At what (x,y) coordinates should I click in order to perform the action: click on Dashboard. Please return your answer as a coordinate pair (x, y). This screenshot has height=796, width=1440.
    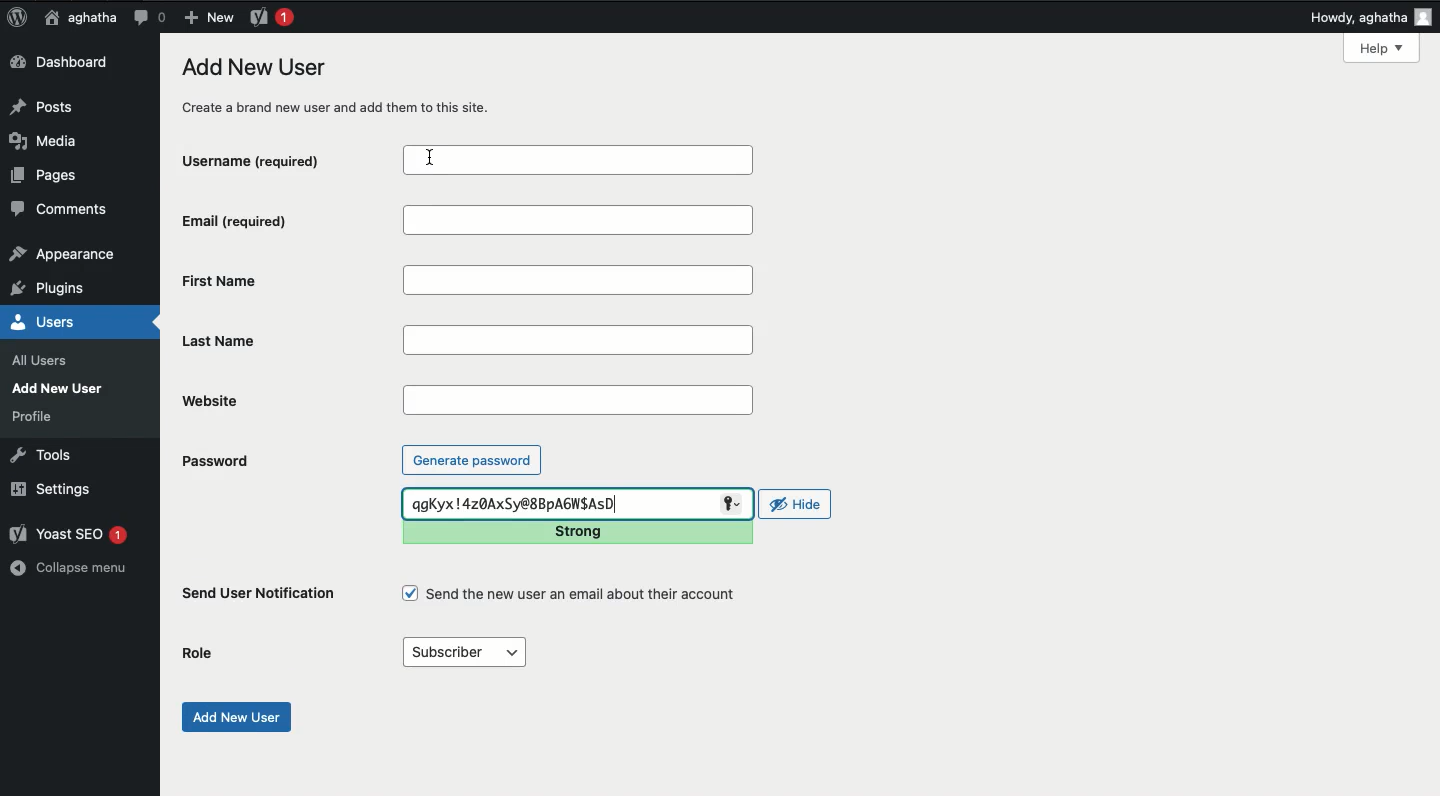
    Looking at the image, I should click on (65, 63).